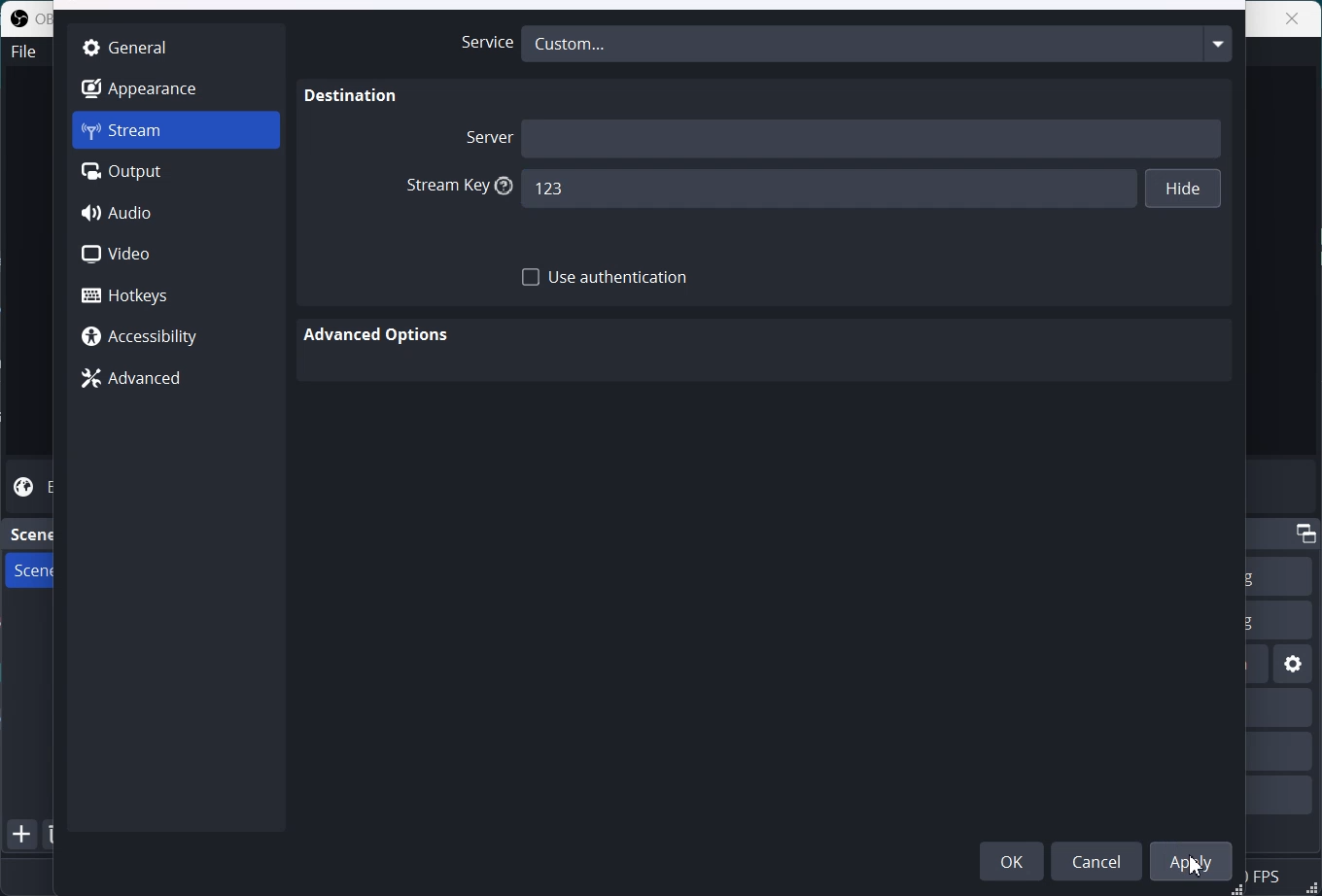 The image size is (1322, 896). What do you see at coordinates (176, 254) in the screenshot?
I see `Video` at bounding box center [176, 254].